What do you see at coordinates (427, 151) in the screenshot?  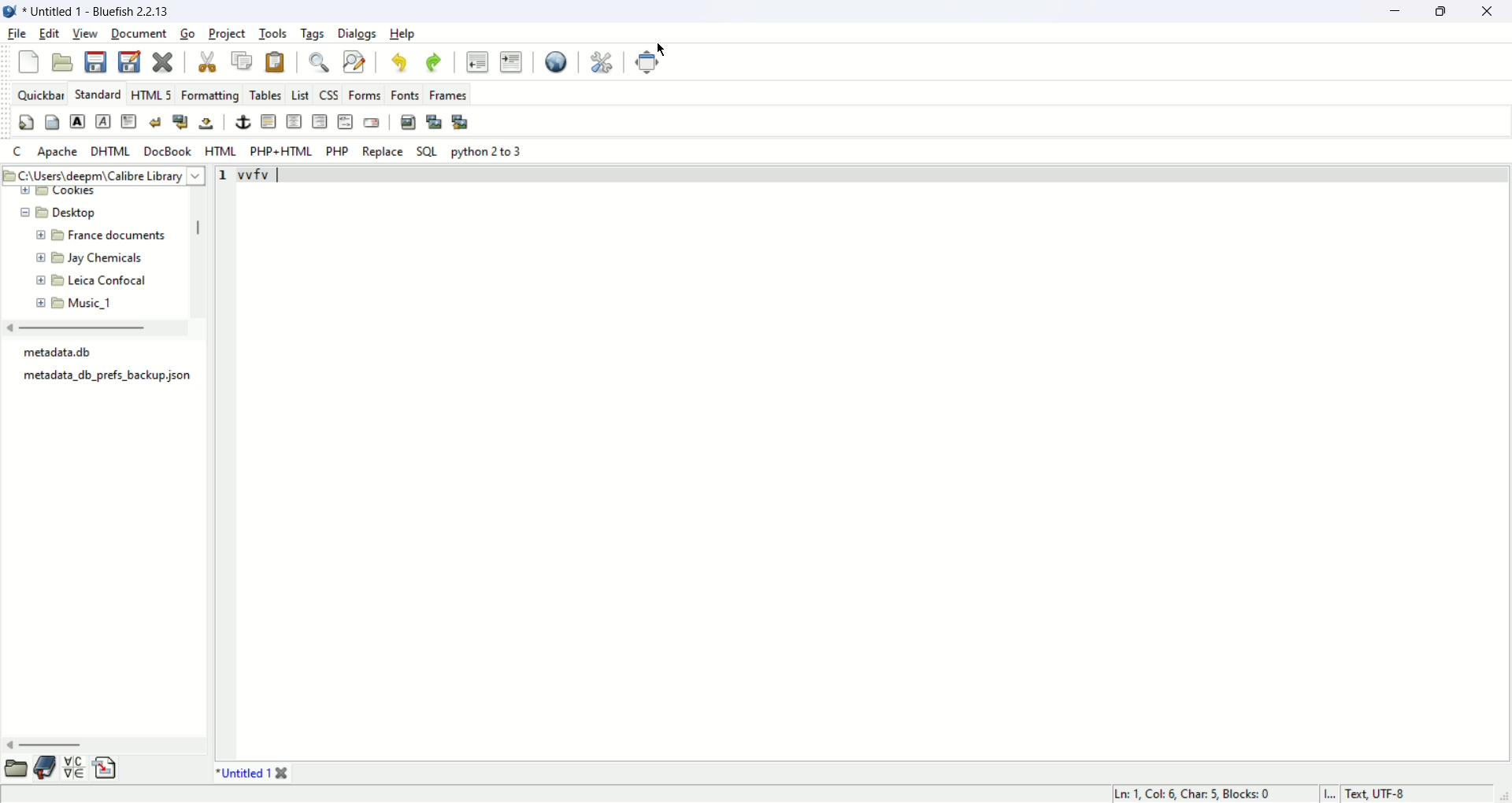 I see `SQL` at bounding box center [427, 151].